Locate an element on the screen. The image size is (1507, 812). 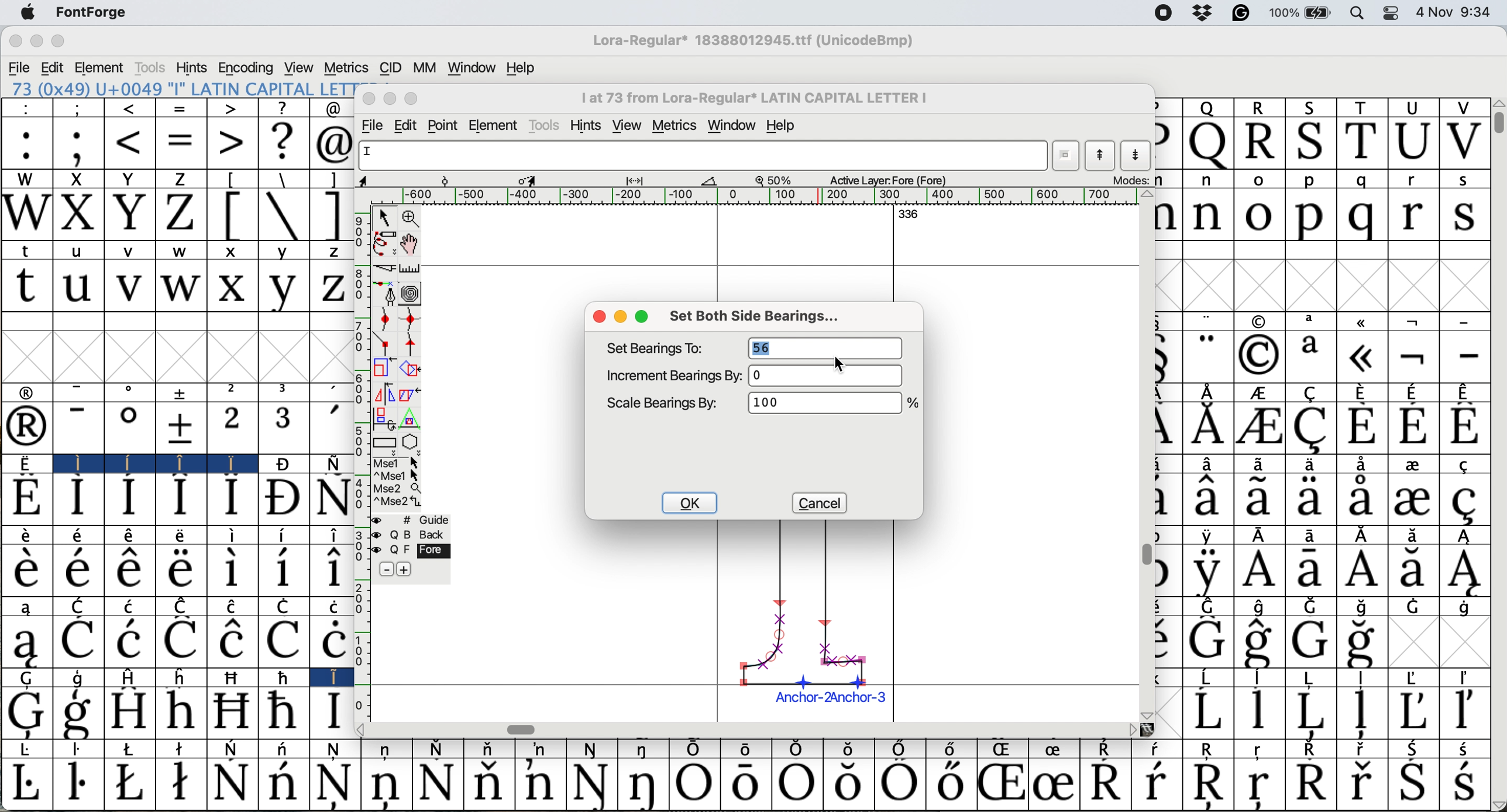
Symbol is located at coordinates (1317, 678).